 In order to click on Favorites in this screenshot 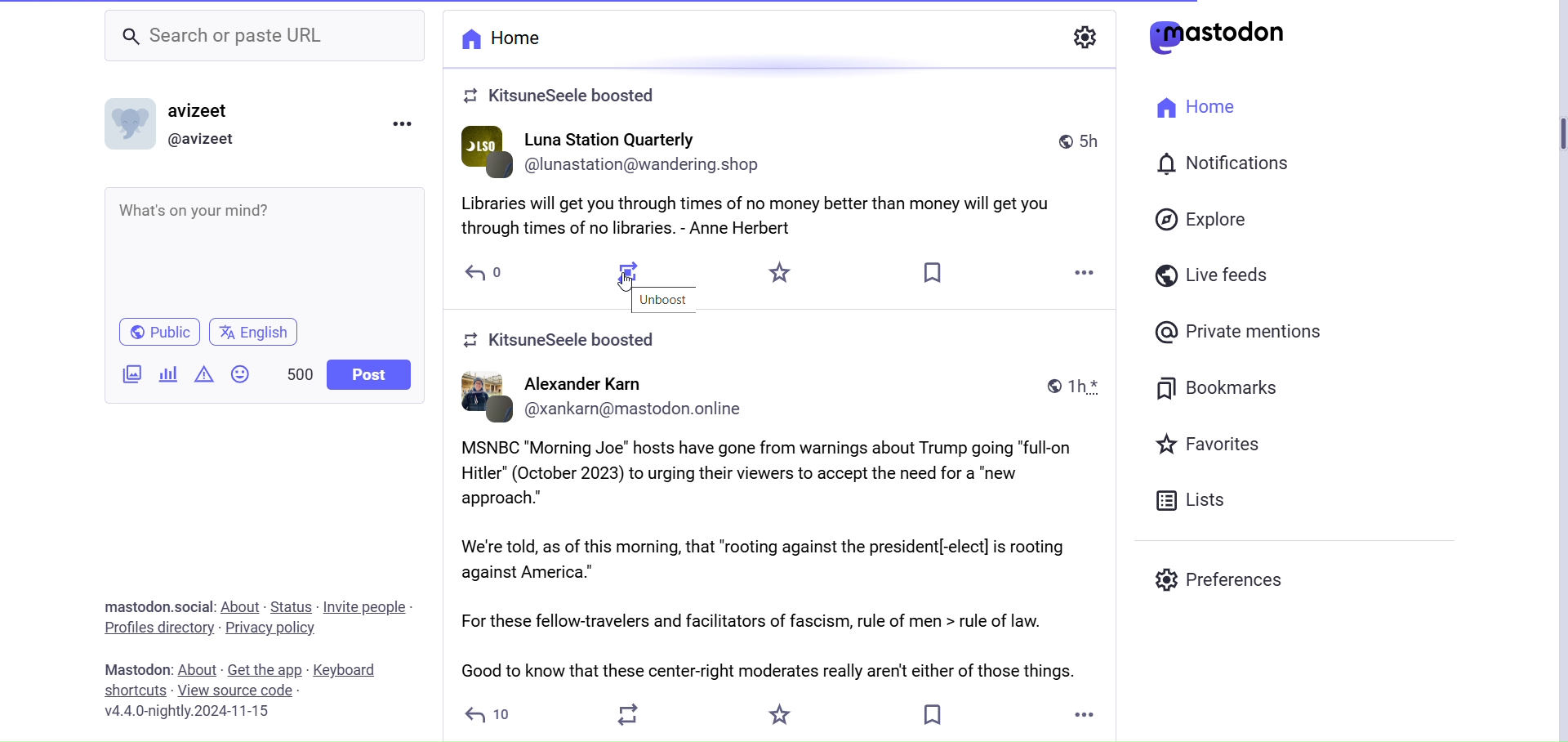, I will do `click(1214, 448)`.